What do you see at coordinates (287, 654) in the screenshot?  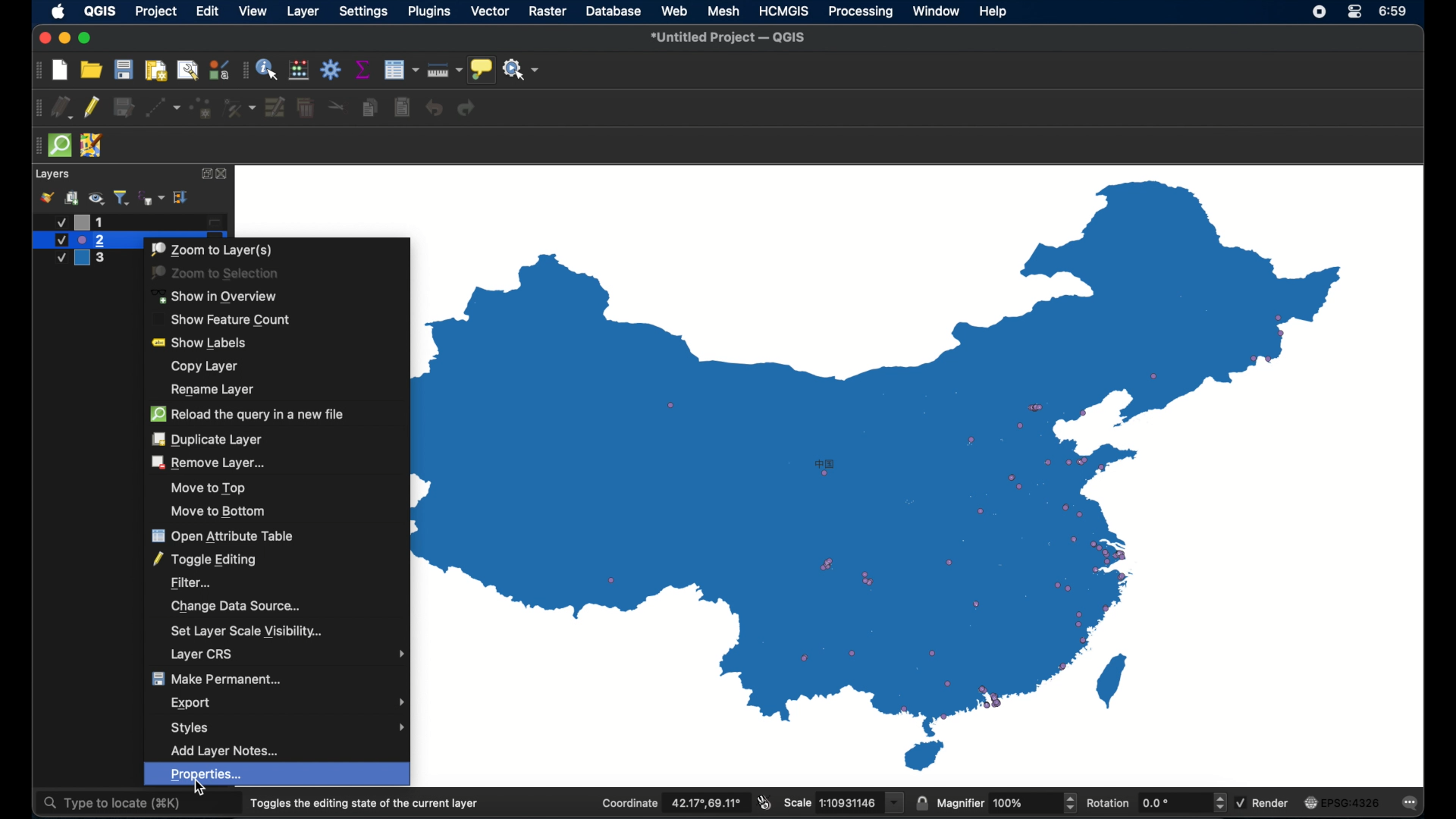 I see `layer crs` at bounding box center [287, 654].